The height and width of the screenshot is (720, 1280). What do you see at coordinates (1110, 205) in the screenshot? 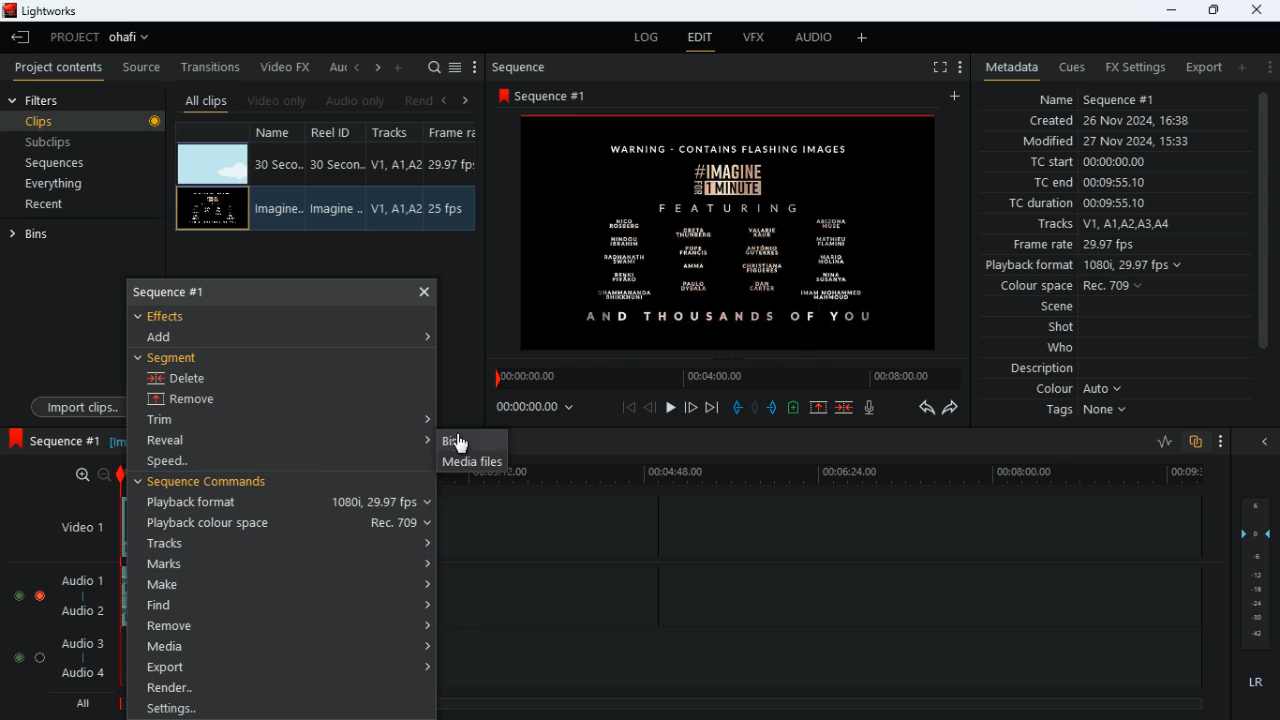
I see `tc duration` at bounding box center [1110, 205].